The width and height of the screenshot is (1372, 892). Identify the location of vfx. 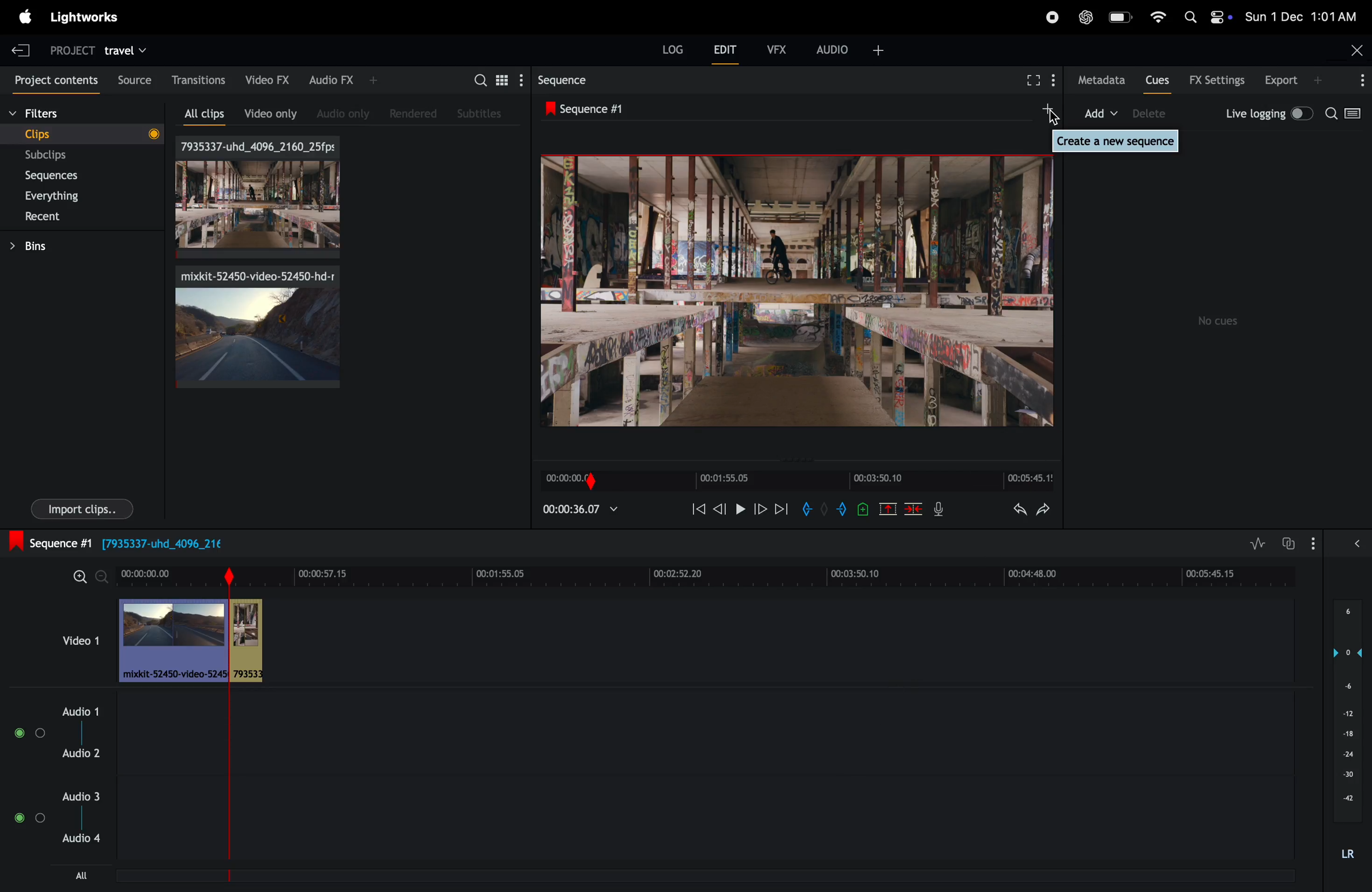
(773, 48).